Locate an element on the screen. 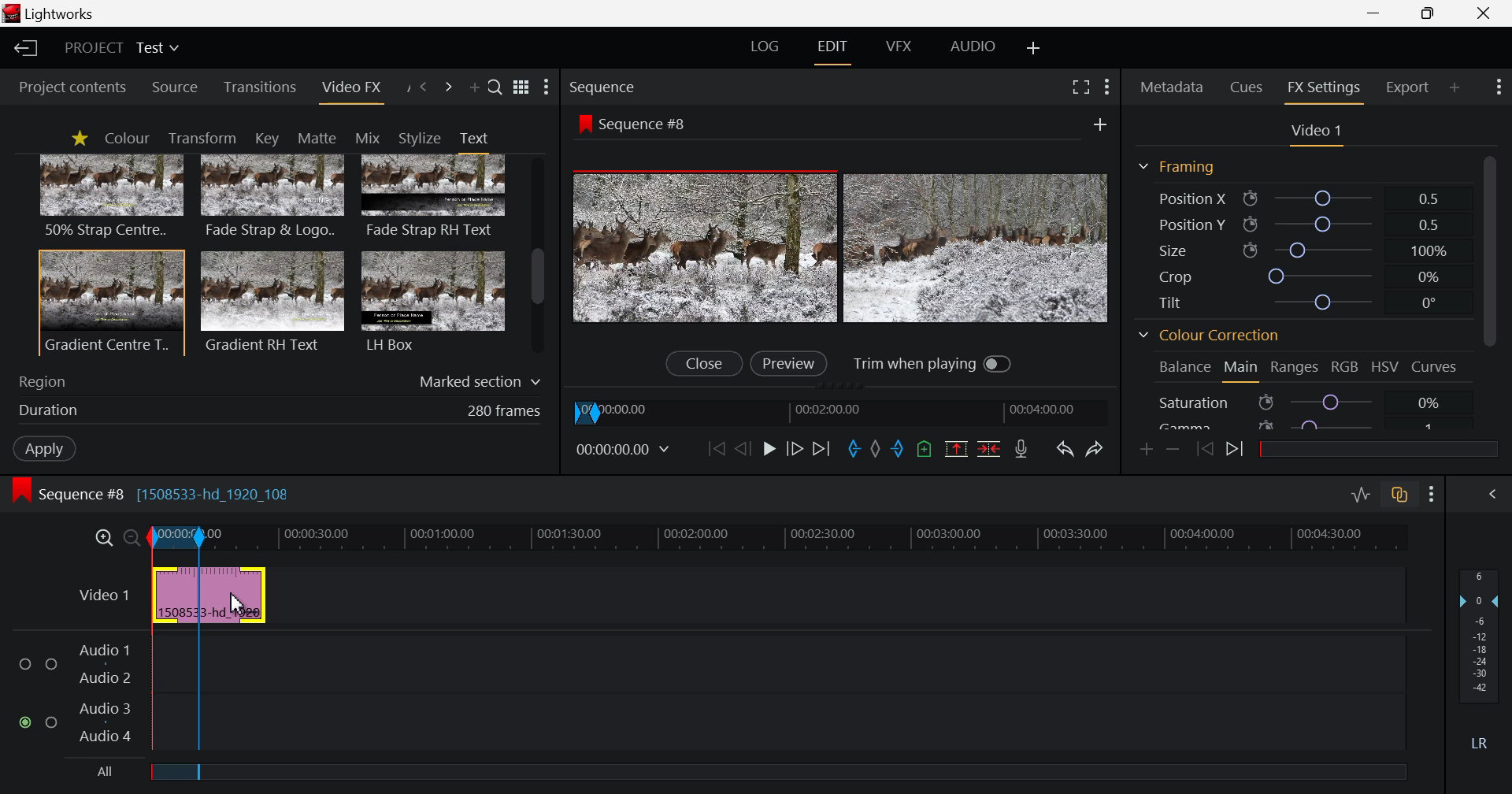 The width and height of the screenshot is (1512, 794). Fade Strap & Logo is located at coordinates (273, 198).